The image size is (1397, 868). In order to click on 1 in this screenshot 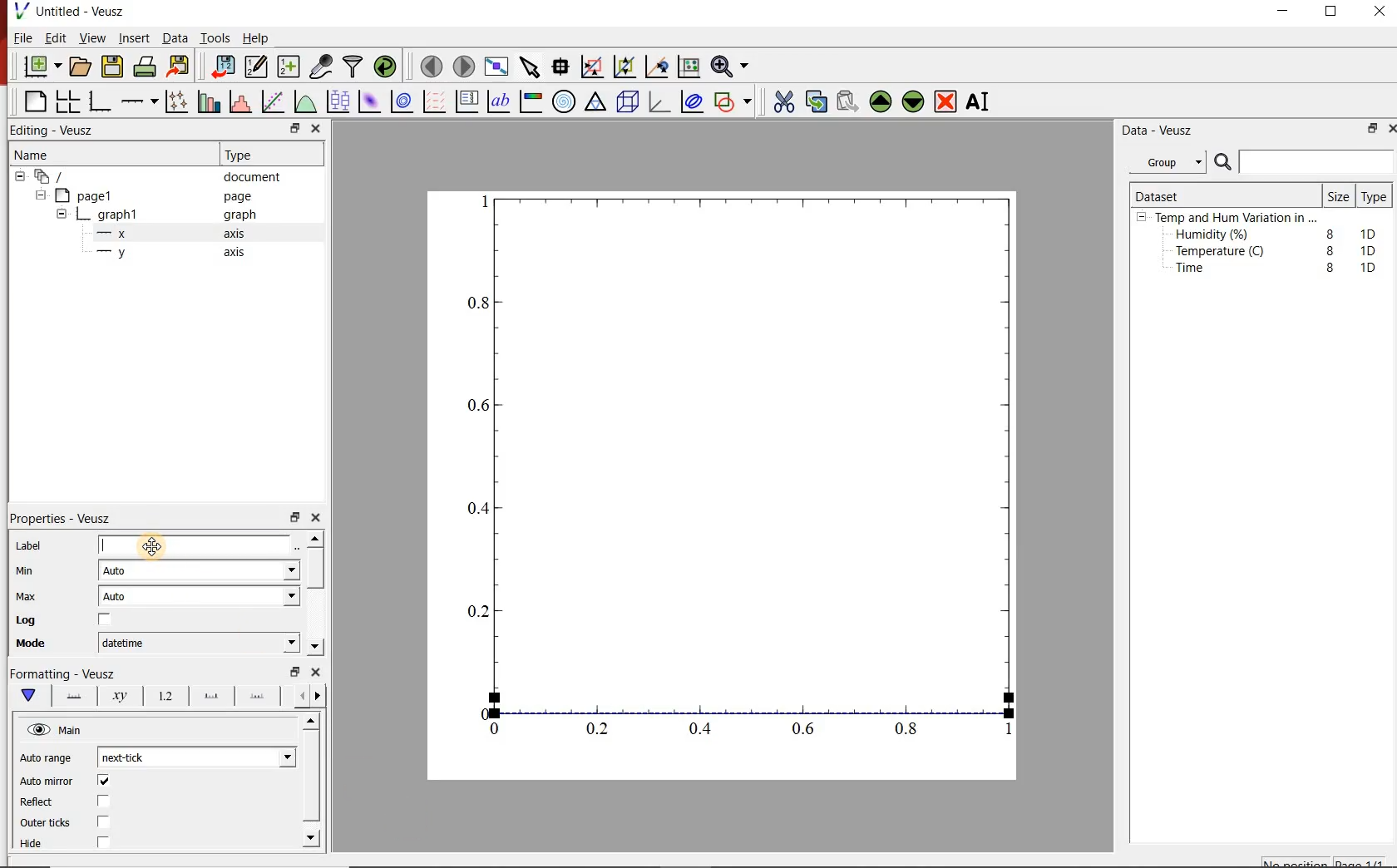, I will do `click(481, 200)`.